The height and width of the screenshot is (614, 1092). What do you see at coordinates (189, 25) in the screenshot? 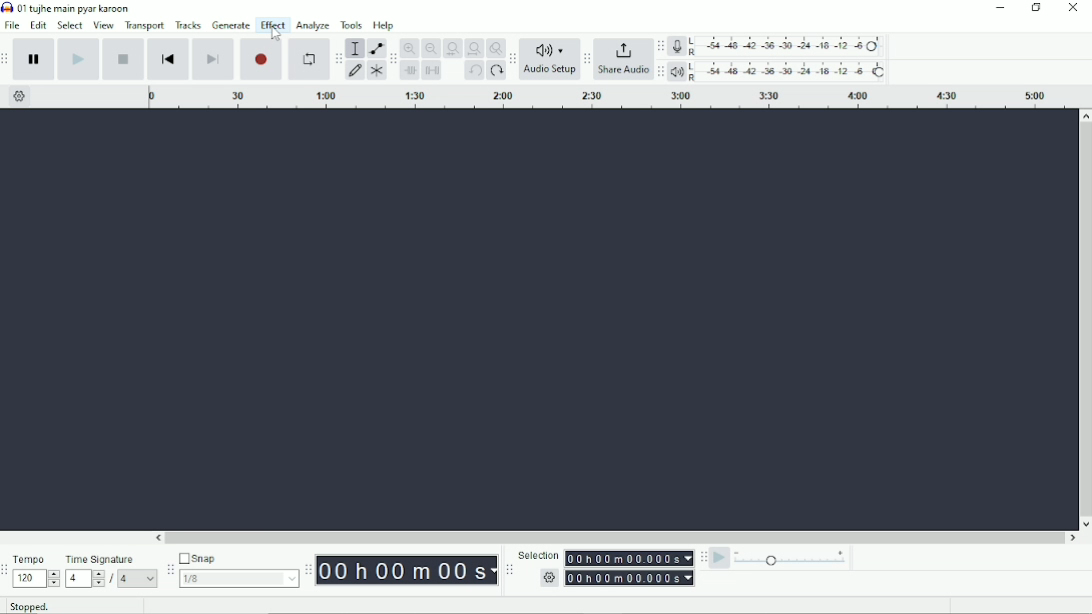
I see `Tracks` at bounding box center [189, 25].